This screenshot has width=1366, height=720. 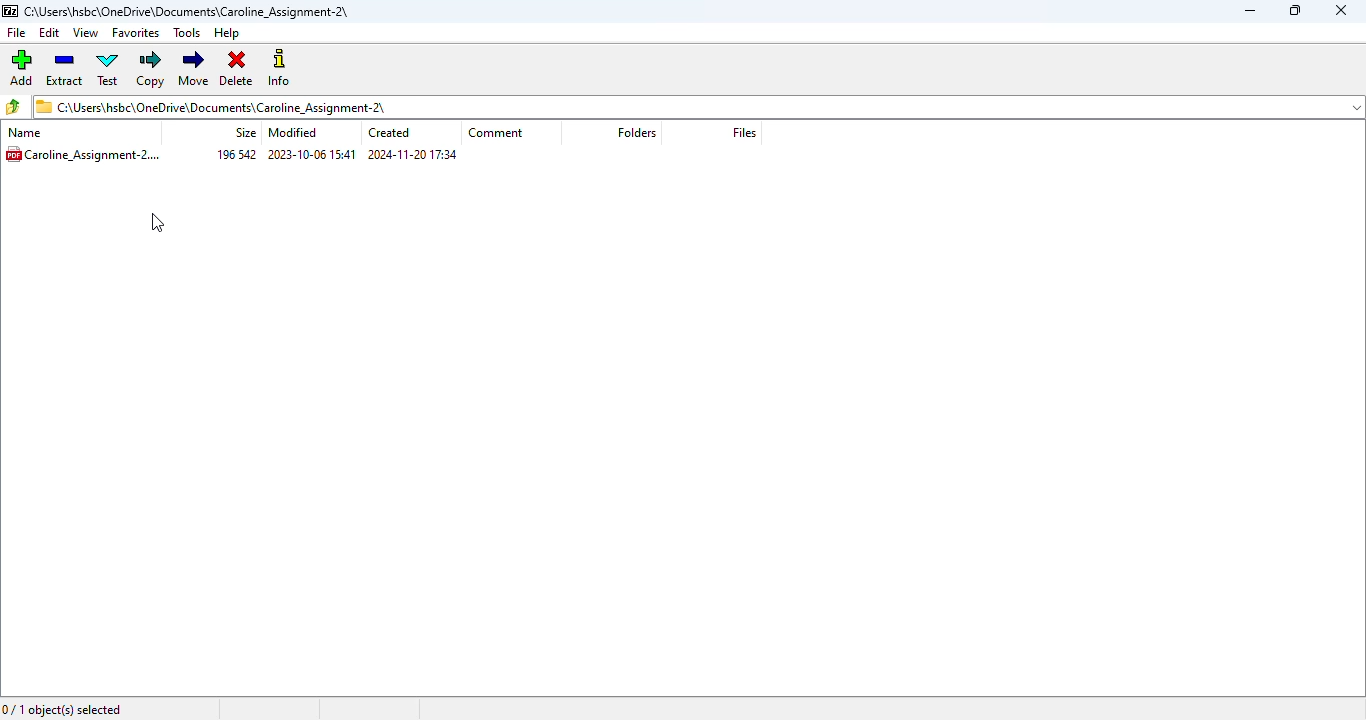 I want to click on Files, so click(x=750, y=133).